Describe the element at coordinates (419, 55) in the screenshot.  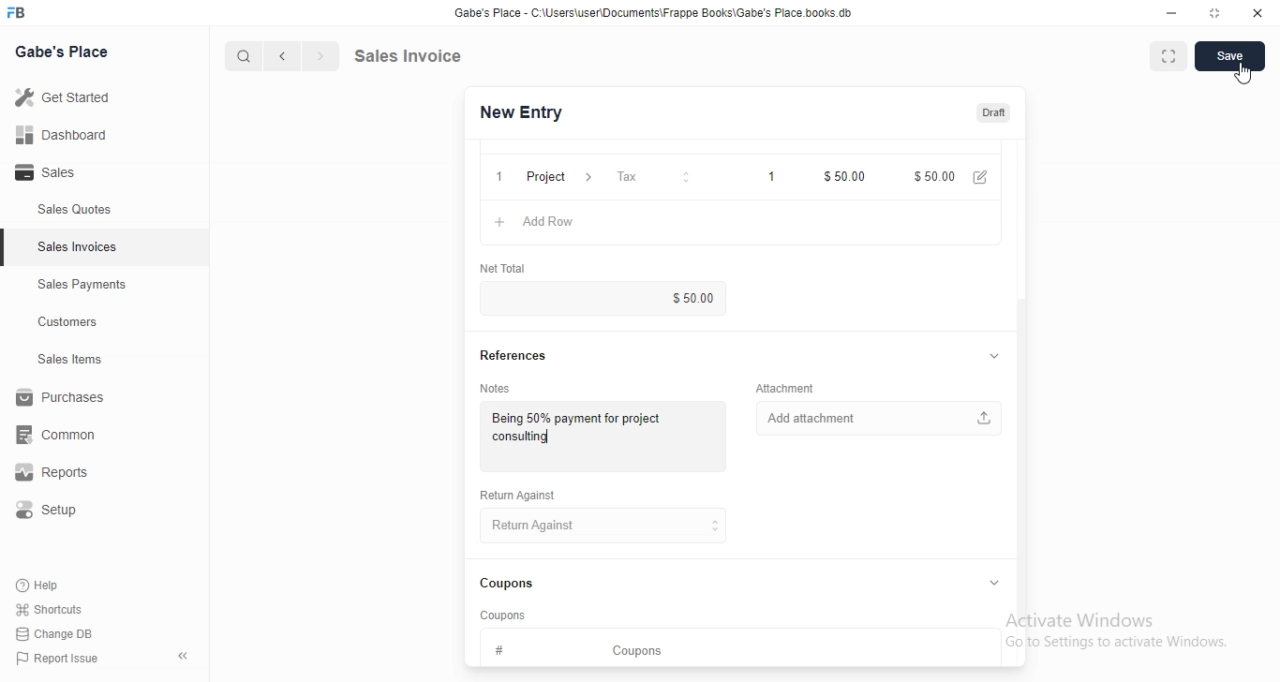
I see `Sales Invoice` at that location.